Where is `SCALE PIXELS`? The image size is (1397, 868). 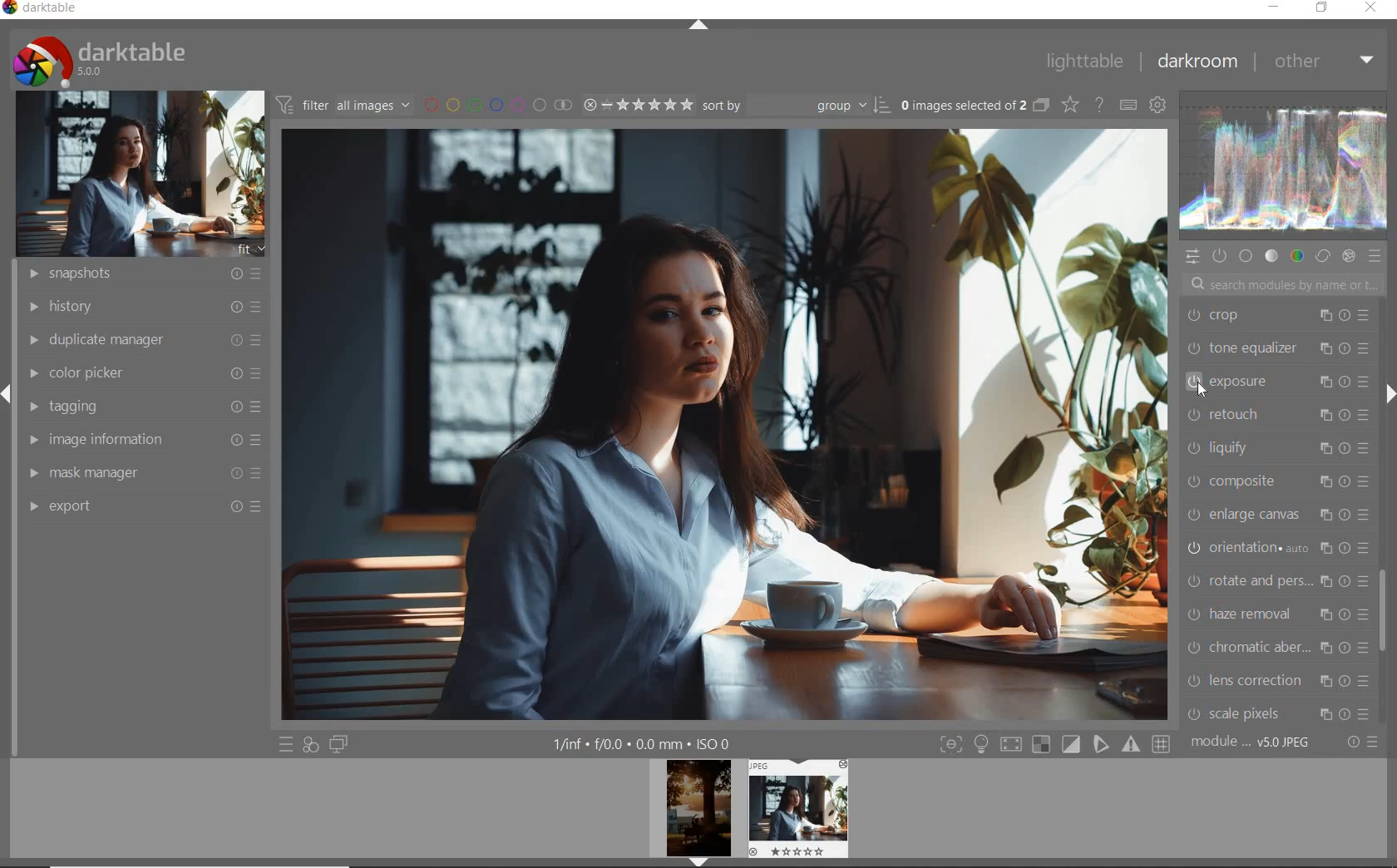
SCALE PIXELS is located at coordinates (1286, 712).